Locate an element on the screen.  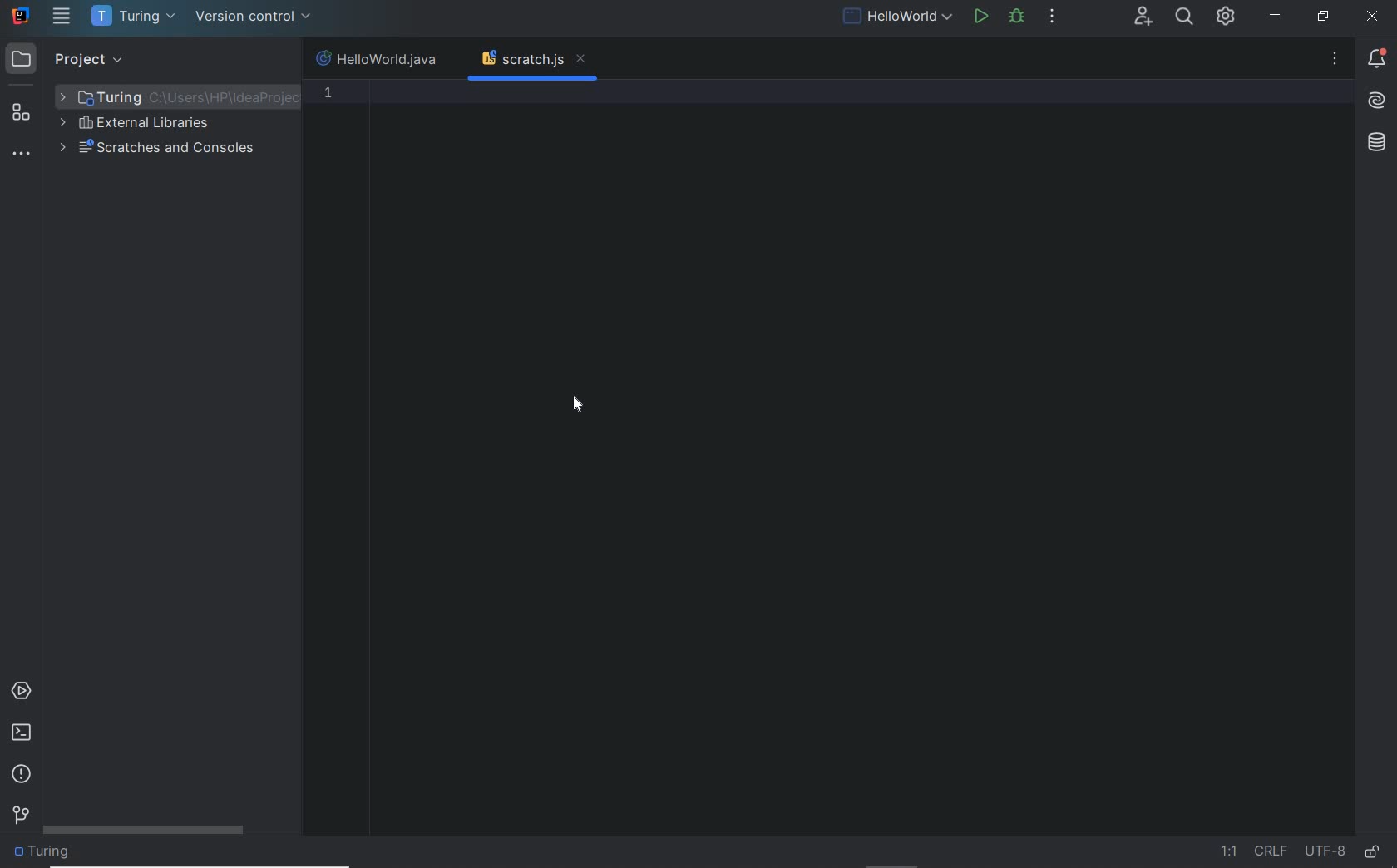
file name is located at coordinates (380, 60).